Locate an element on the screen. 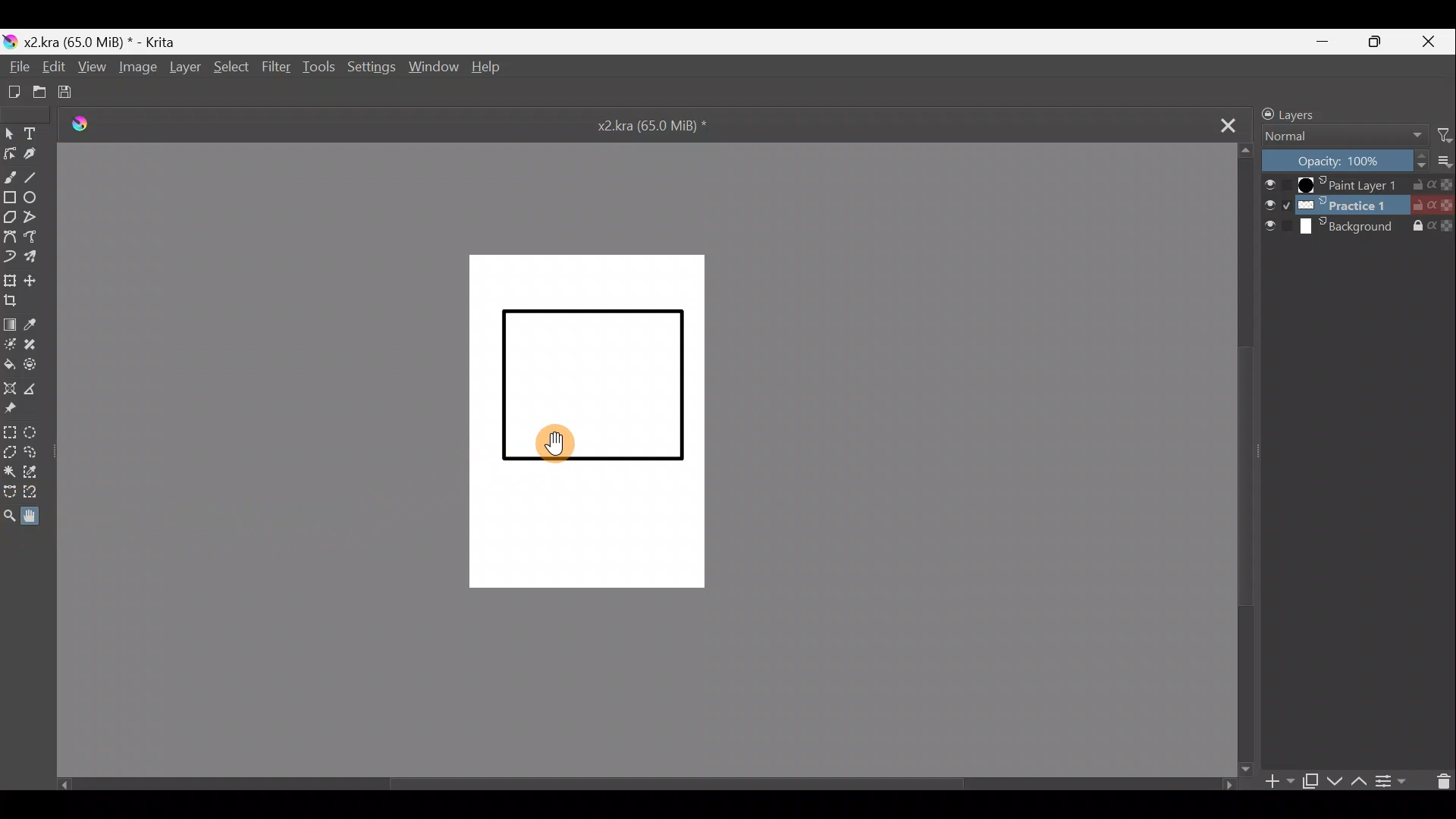 This screenshot has width=1456, height=819. Line tool is located at coordinates (38, 174).